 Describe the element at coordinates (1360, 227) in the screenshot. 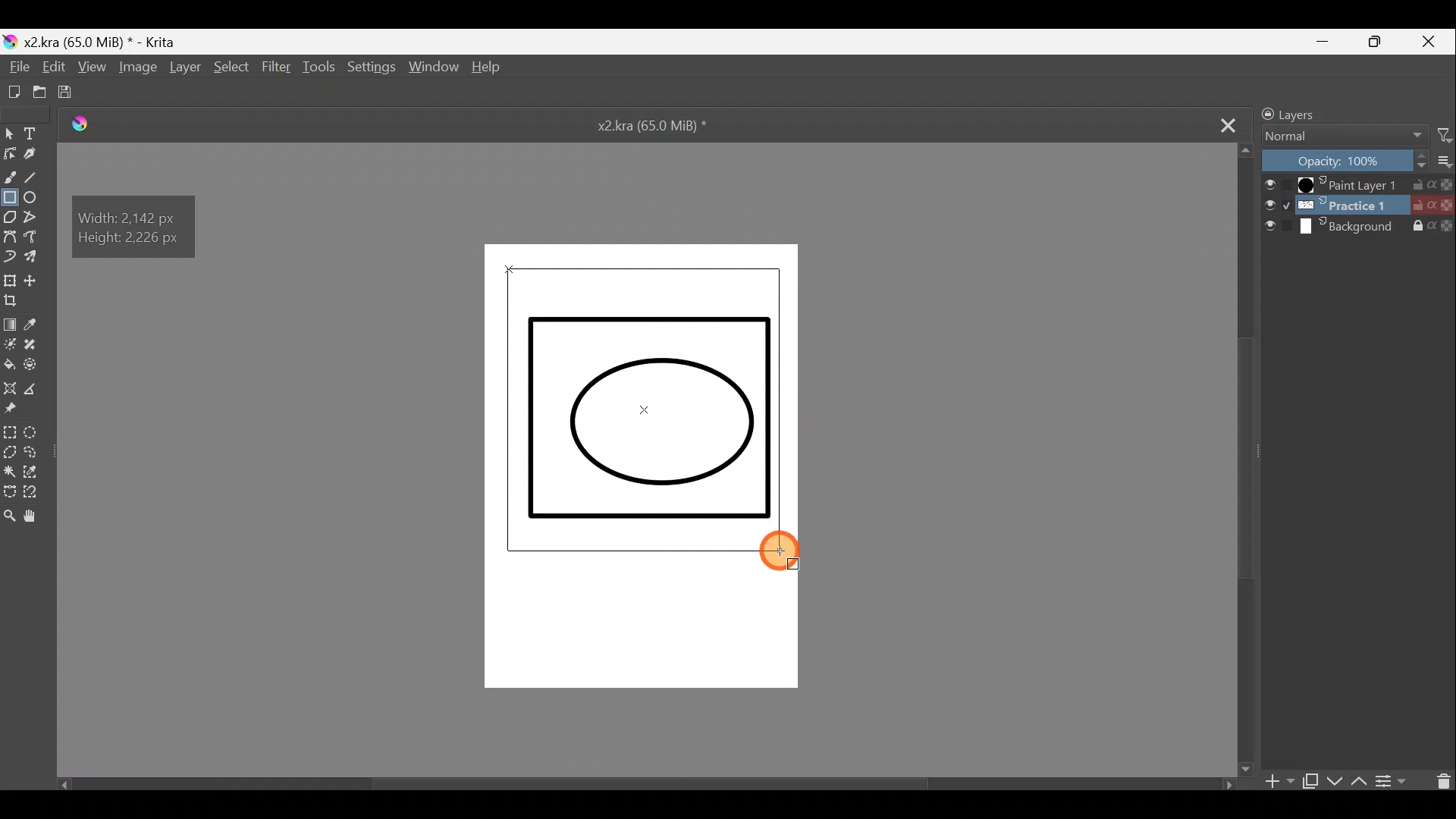

I see `Background` at that location.